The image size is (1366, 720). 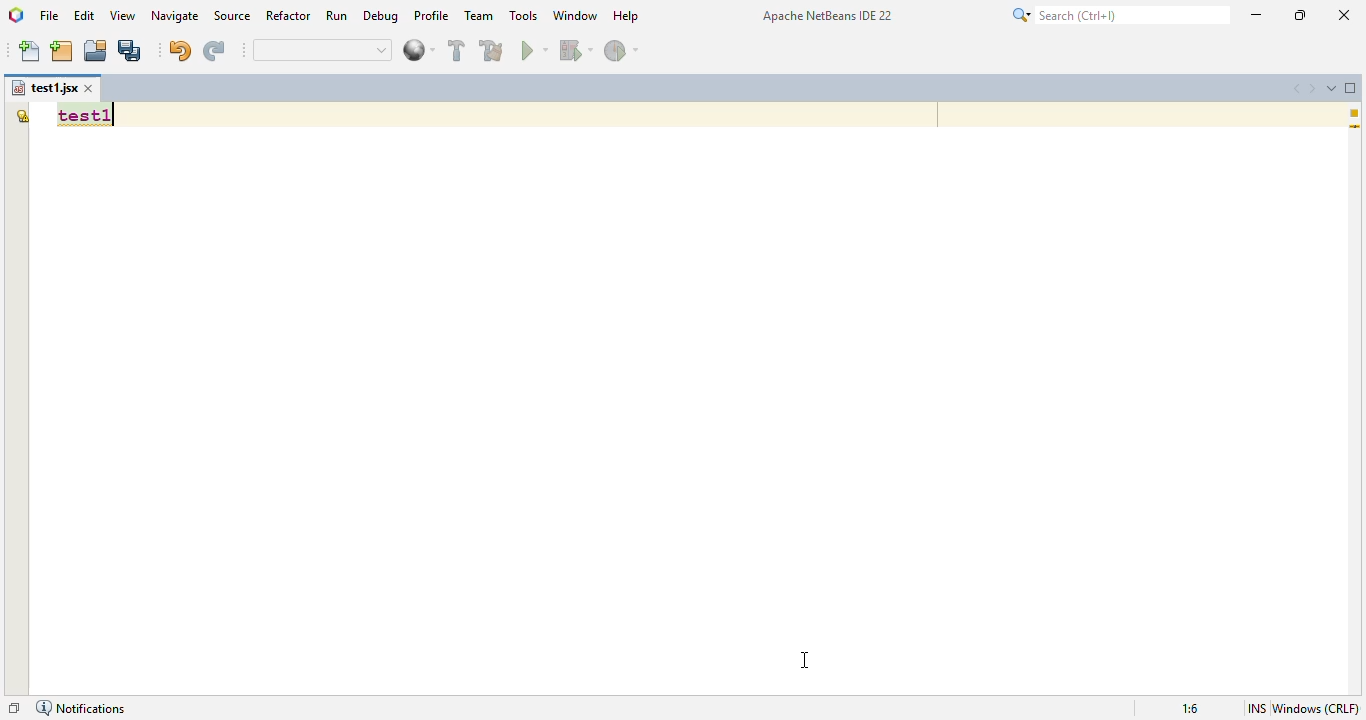 I want to click on profile, so click(x=432, y=15).